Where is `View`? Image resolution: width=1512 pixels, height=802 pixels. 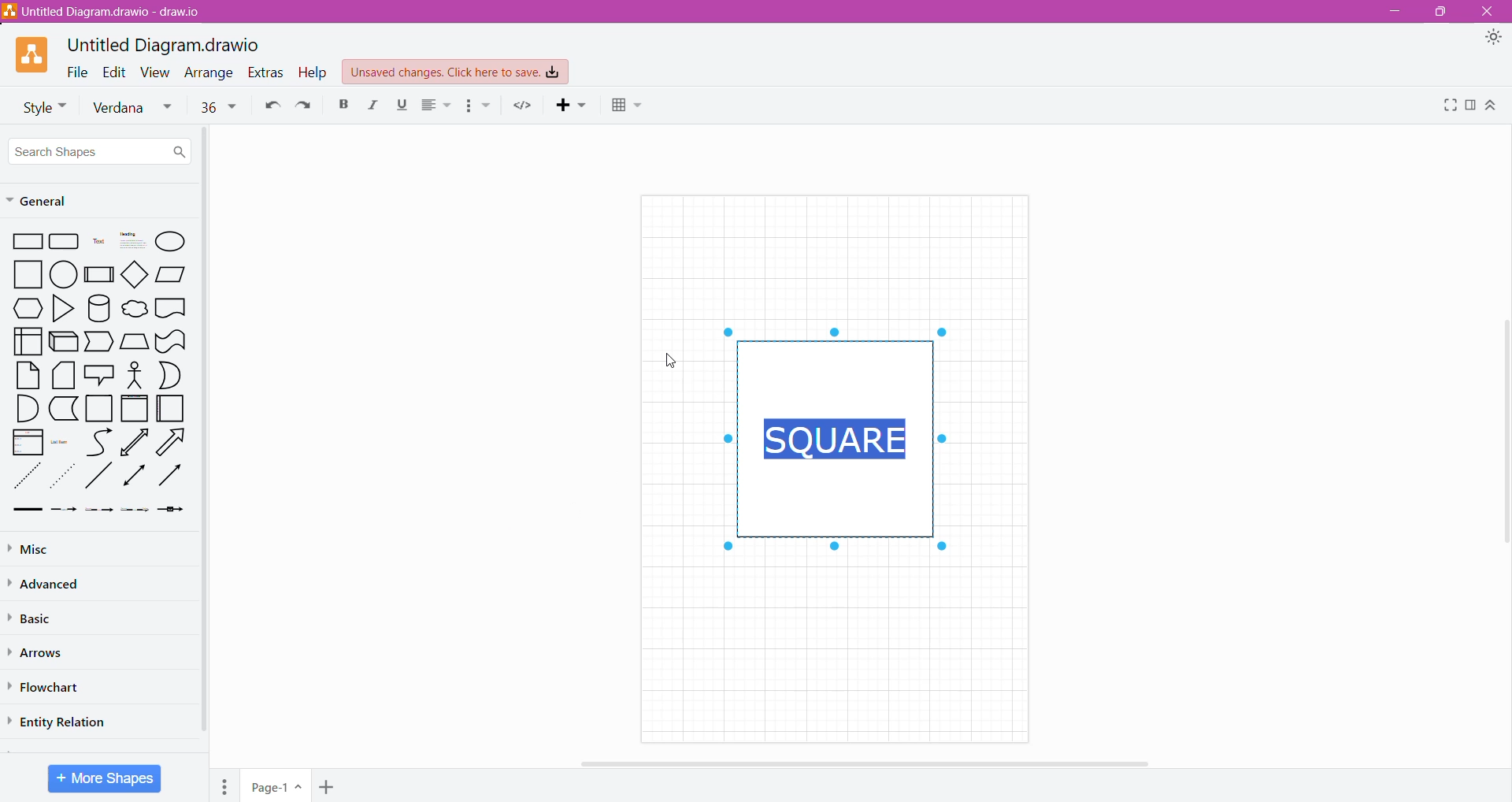 View is located at coordinates (158, 72).